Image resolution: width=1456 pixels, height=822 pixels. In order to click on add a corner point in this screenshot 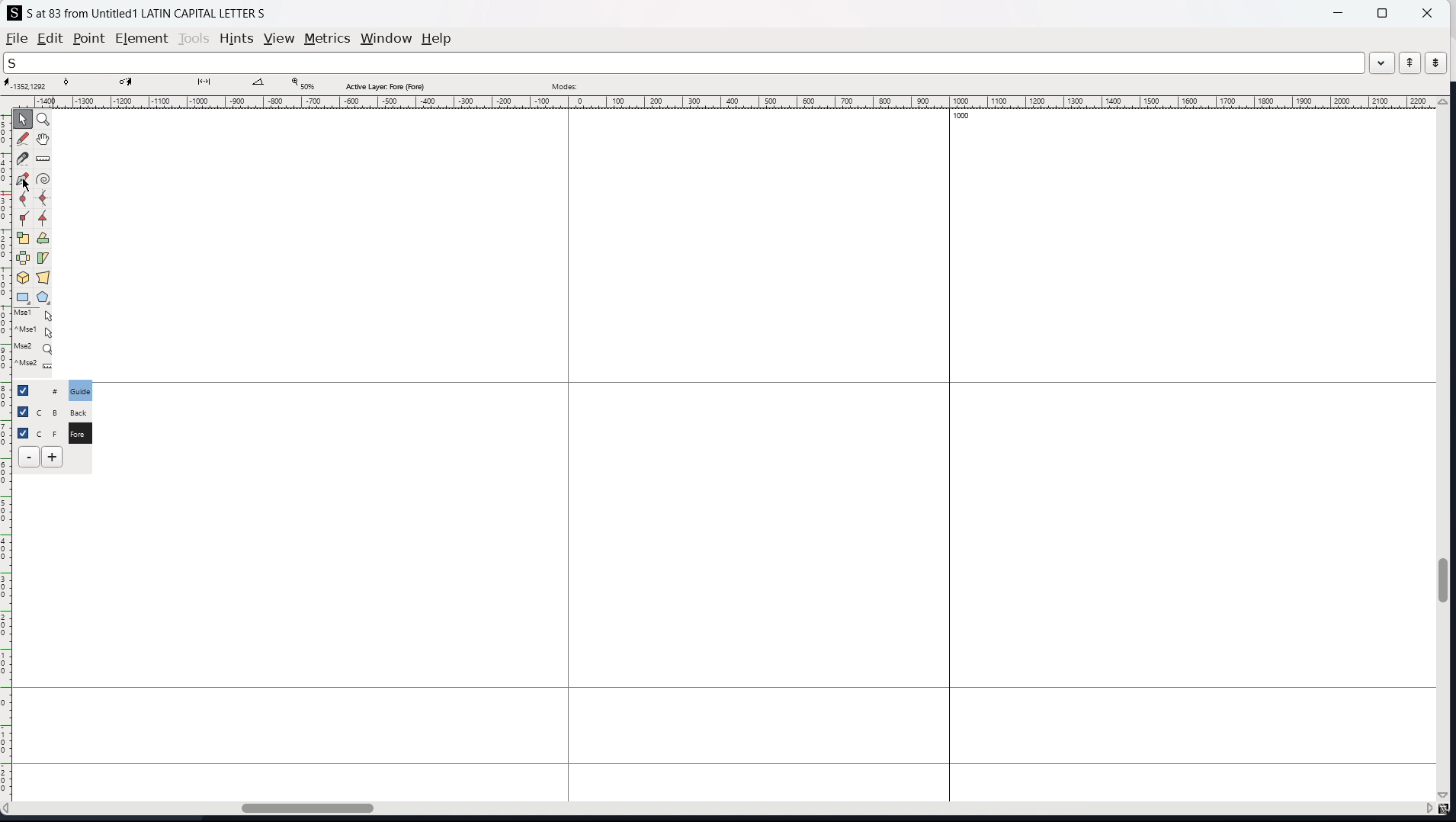, I will do `click(24, 220)`.